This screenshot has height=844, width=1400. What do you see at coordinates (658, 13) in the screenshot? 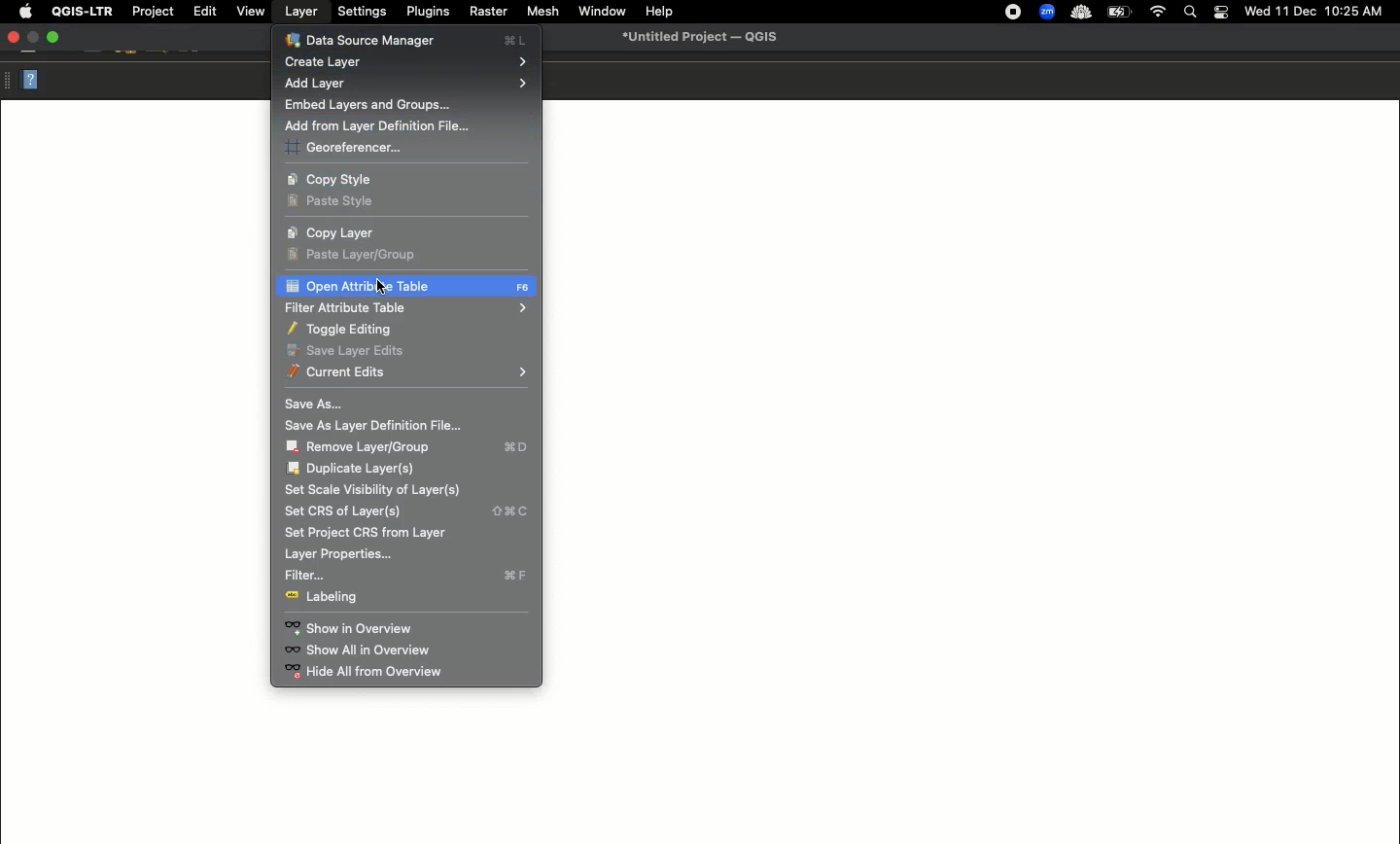
I see `Help` at bounding box center [658, 13].